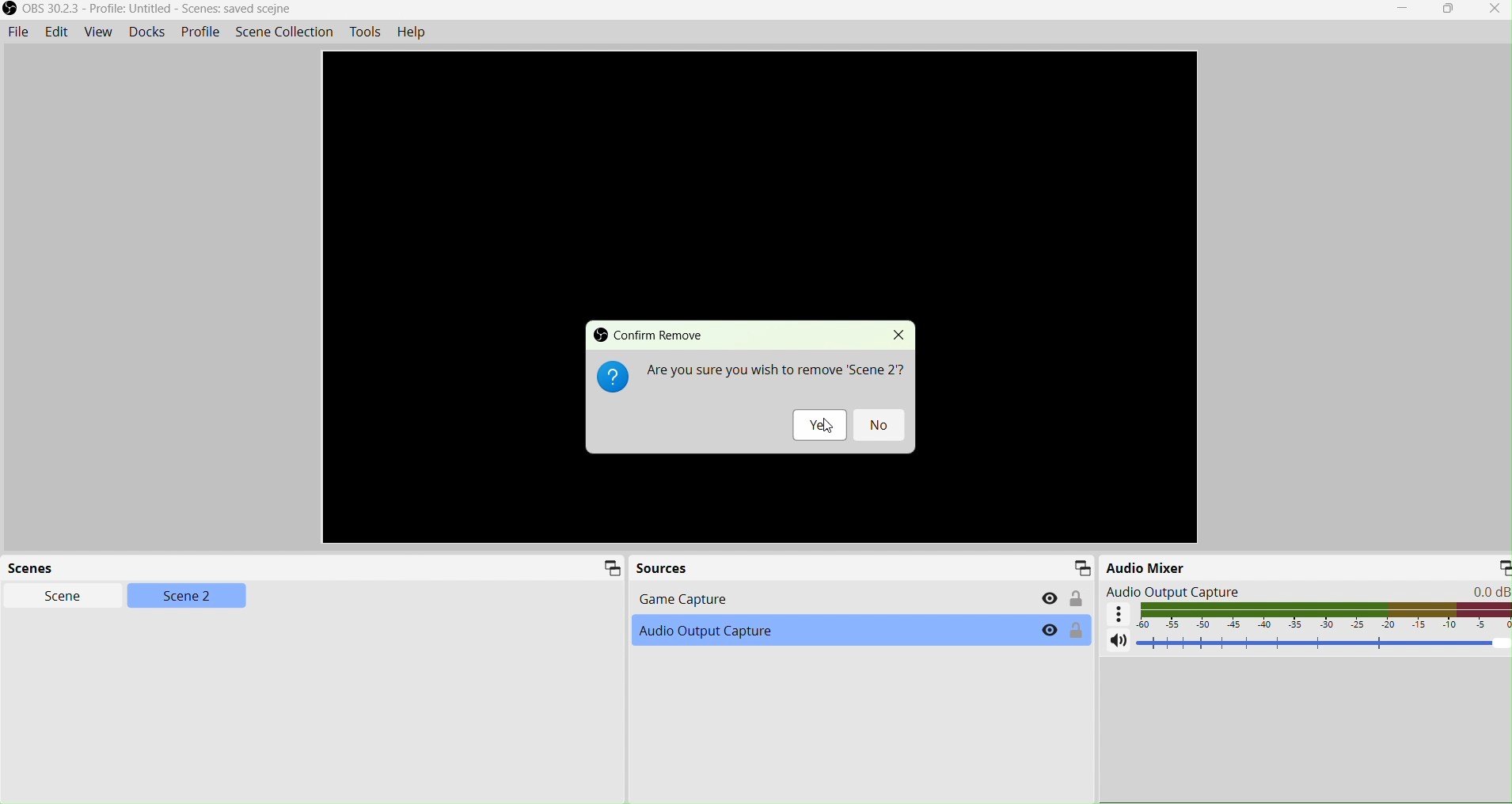 The height and width of the screenshot is (804, 1512). What do you see at coordinates (881, 425) in the screenshot?
I see `No` at bounding box center [881, 425].